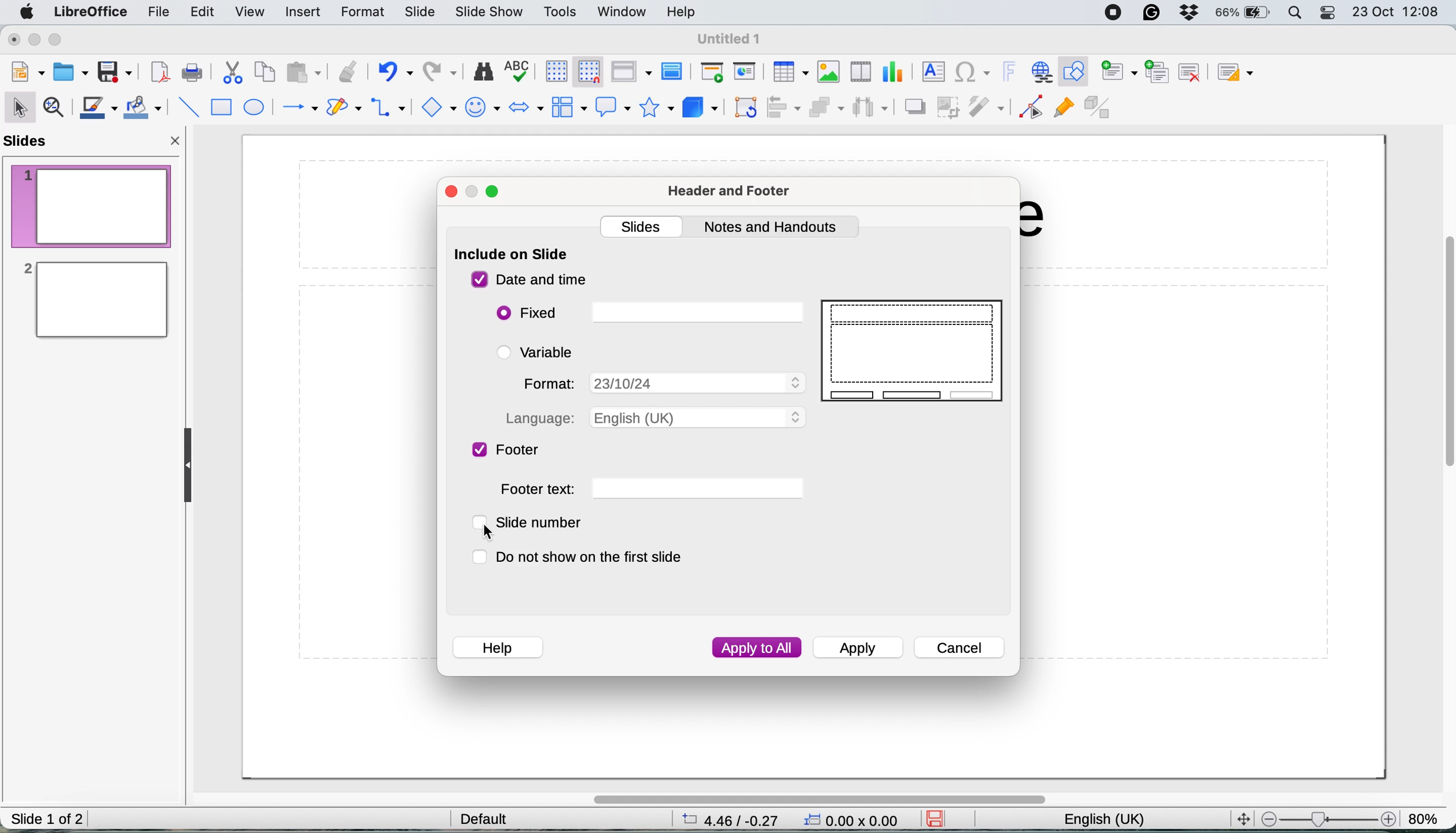  I want to click on fixed, so click(649, 312).